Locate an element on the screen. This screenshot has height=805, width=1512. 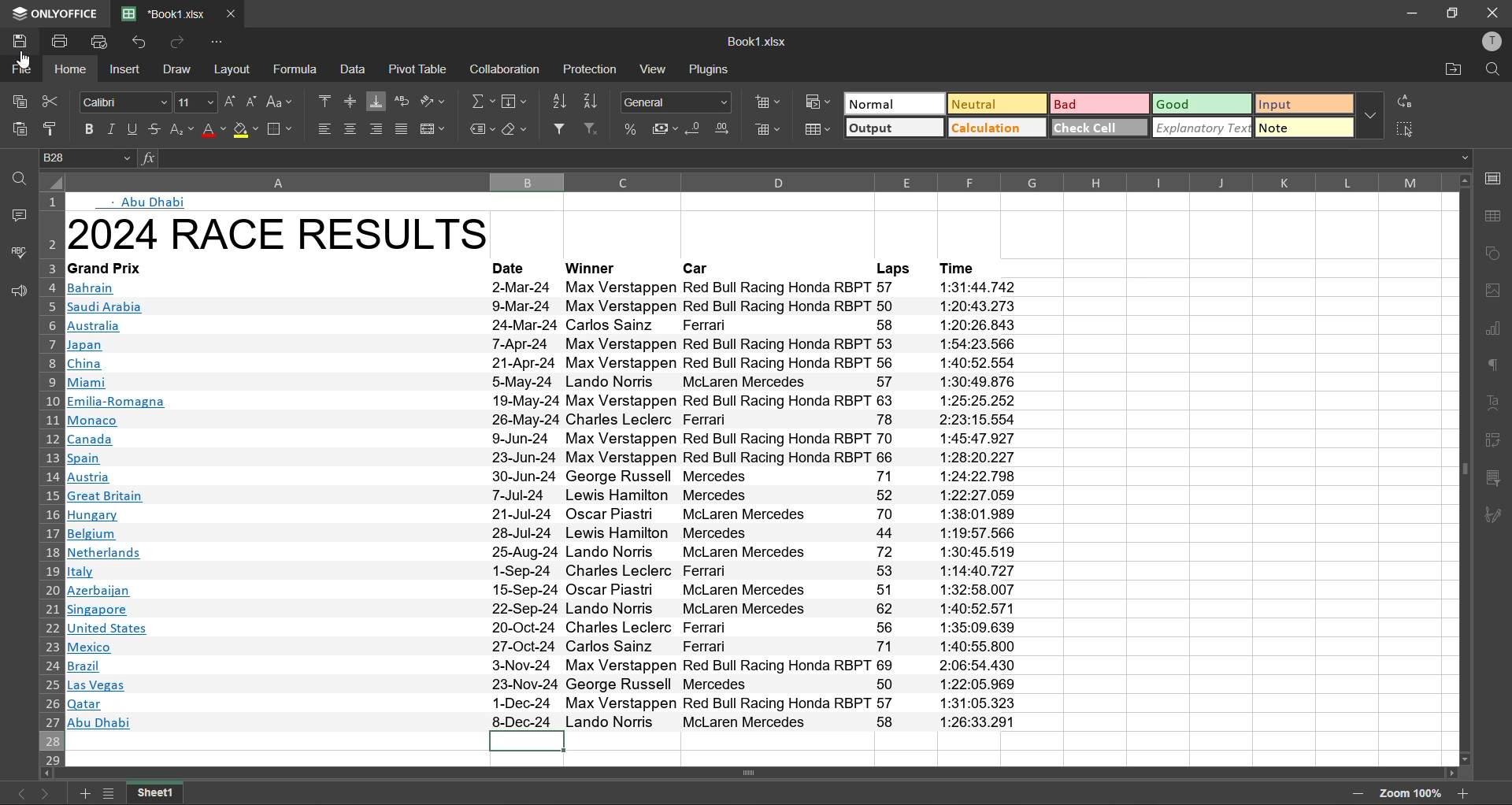
font size is located at coordinates (194, 104).